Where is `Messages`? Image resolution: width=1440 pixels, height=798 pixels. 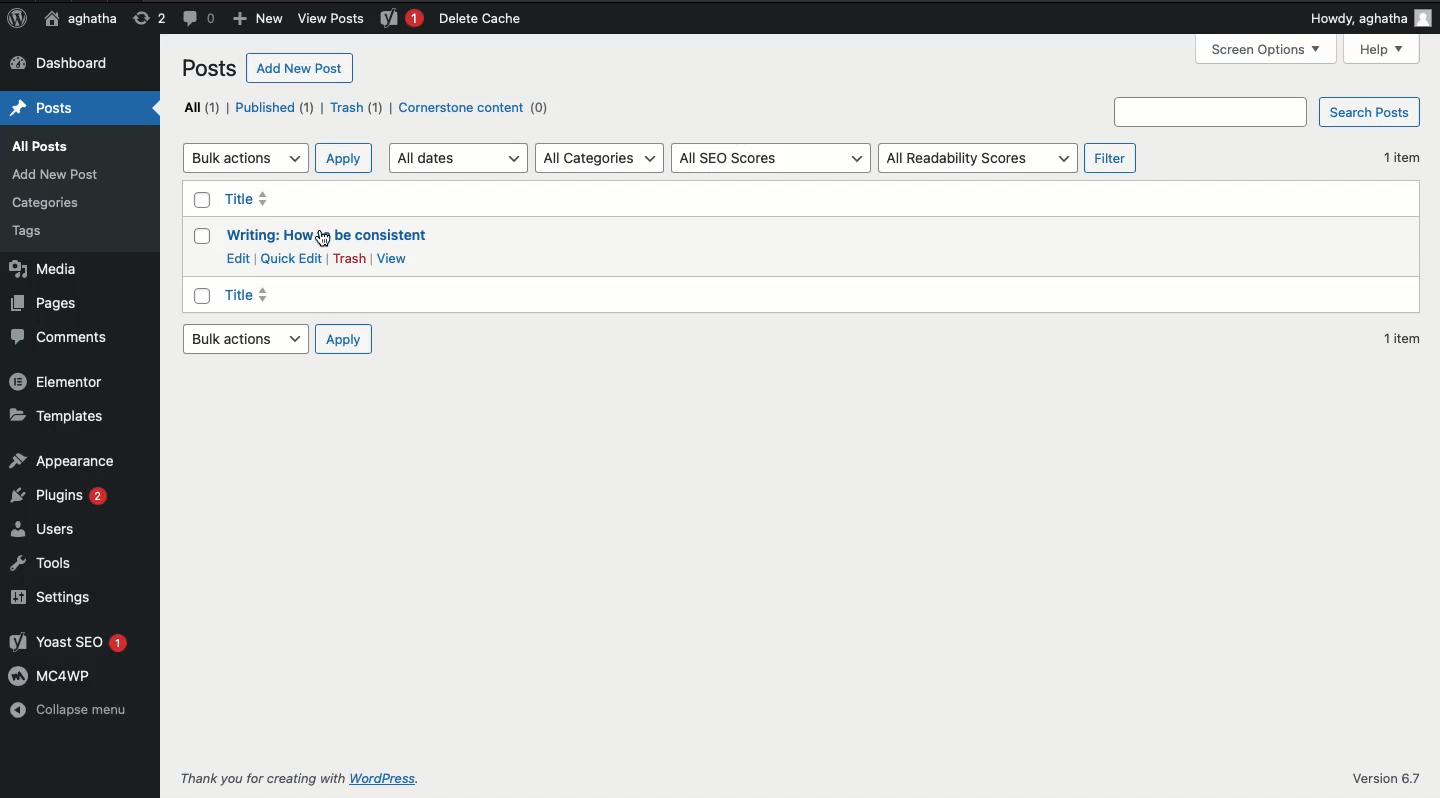
Messages is located at coordinates (199, 18).